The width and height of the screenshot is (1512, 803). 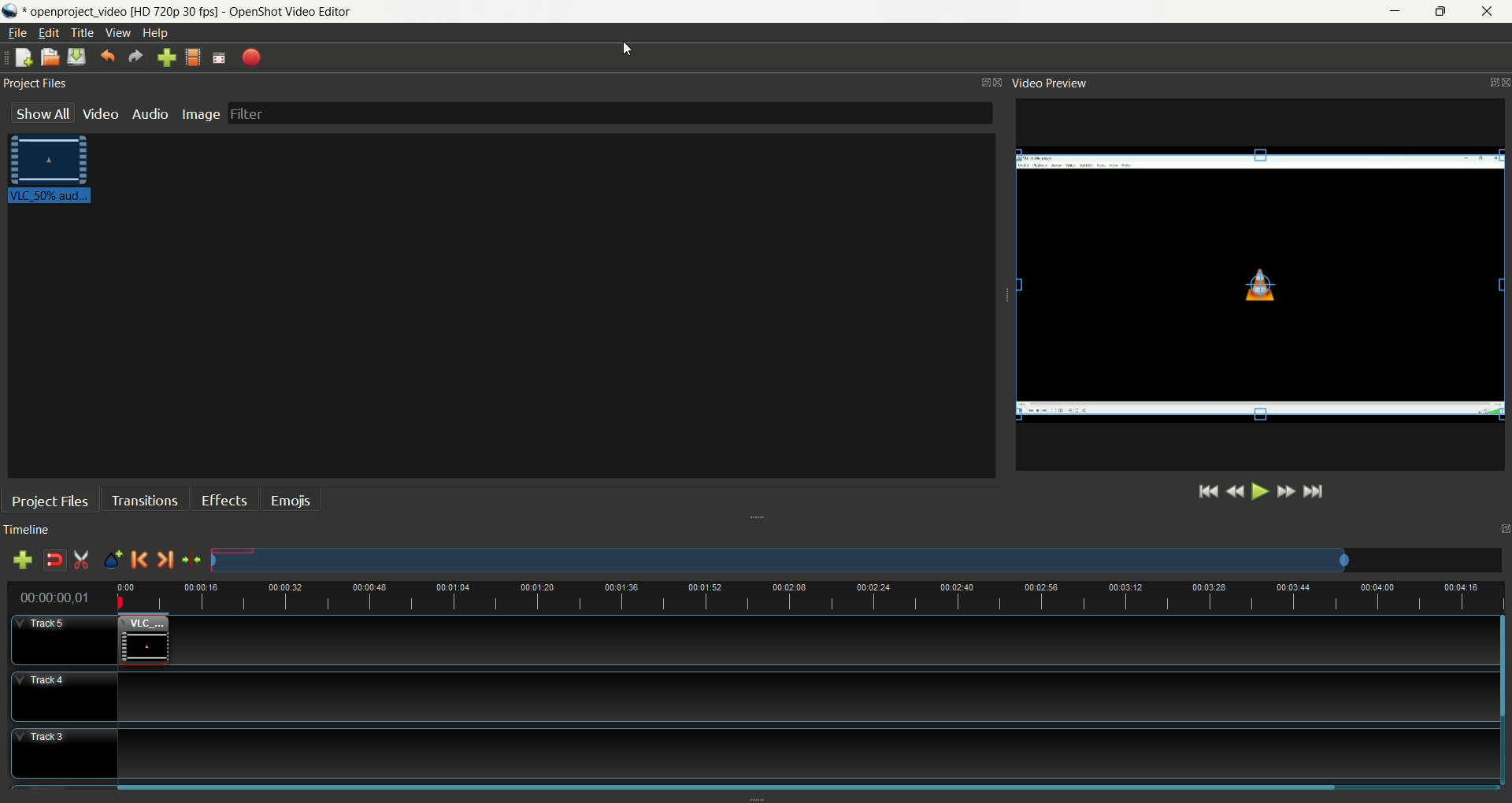 I want to click on video clip, so click(x=144, y=638).